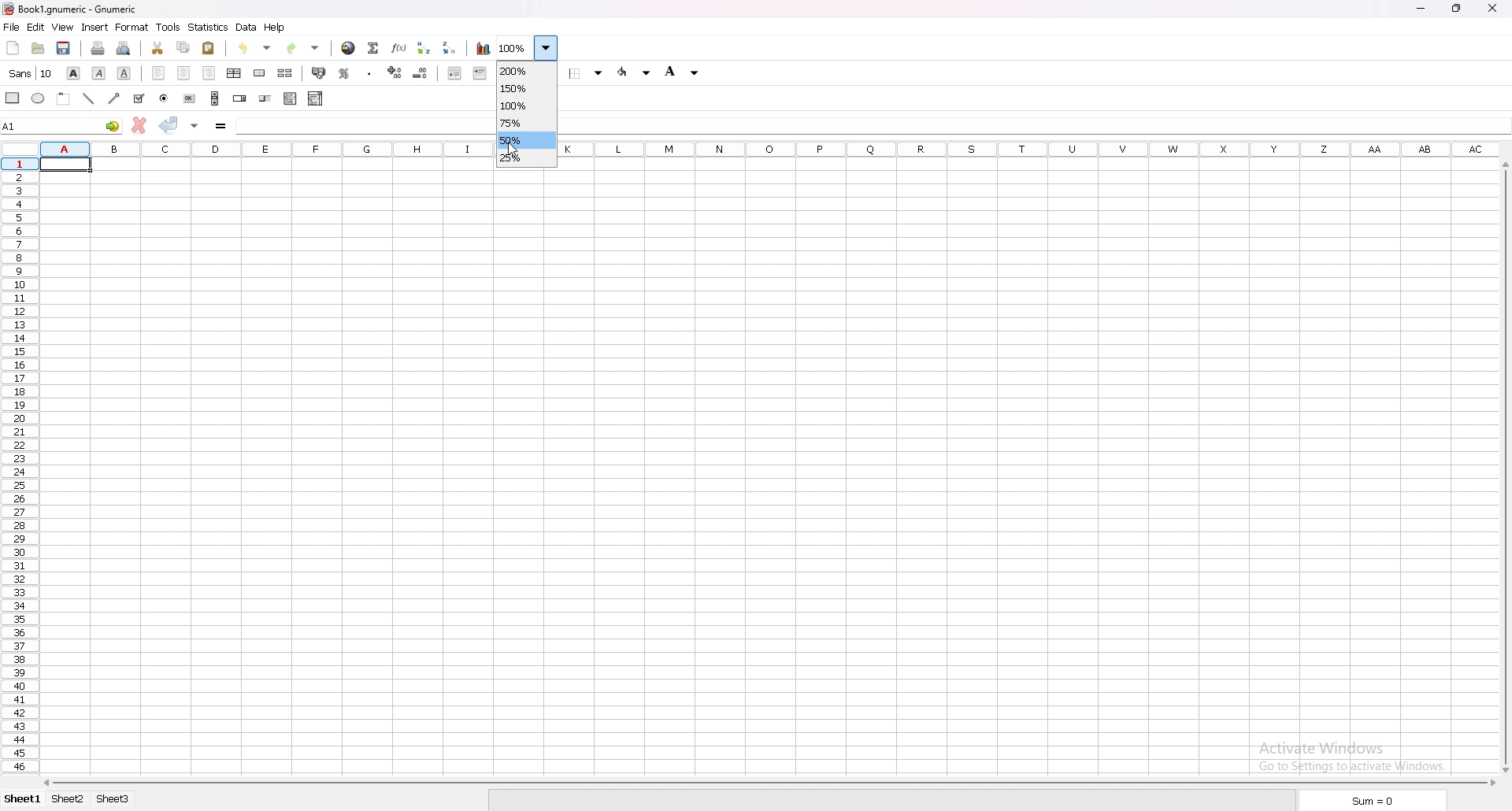 This screenshot has height=811, width=1512. I want to click on insert, so click(96, 27).